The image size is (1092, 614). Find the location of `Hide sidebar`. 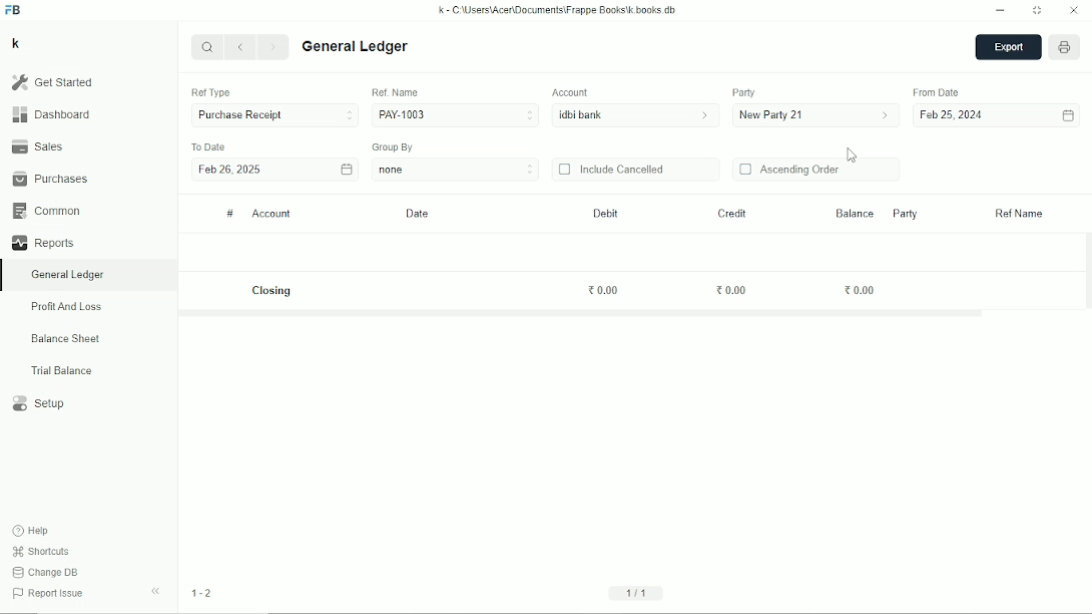

Hide sidebar is located at coordinates (156, 592).